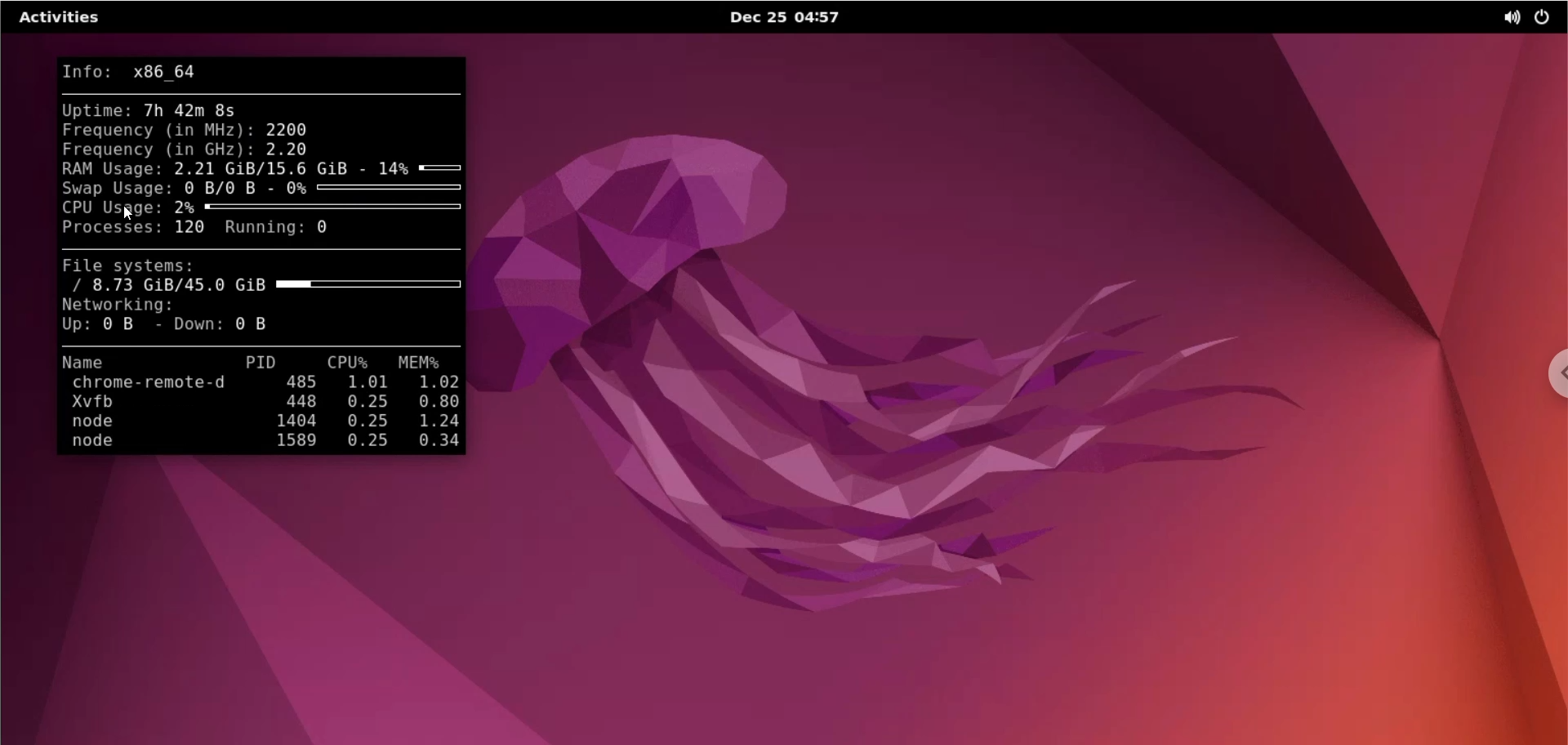 The image size is (1568, 745). I want to click on Dec 25 04:57, so click(800, 19).